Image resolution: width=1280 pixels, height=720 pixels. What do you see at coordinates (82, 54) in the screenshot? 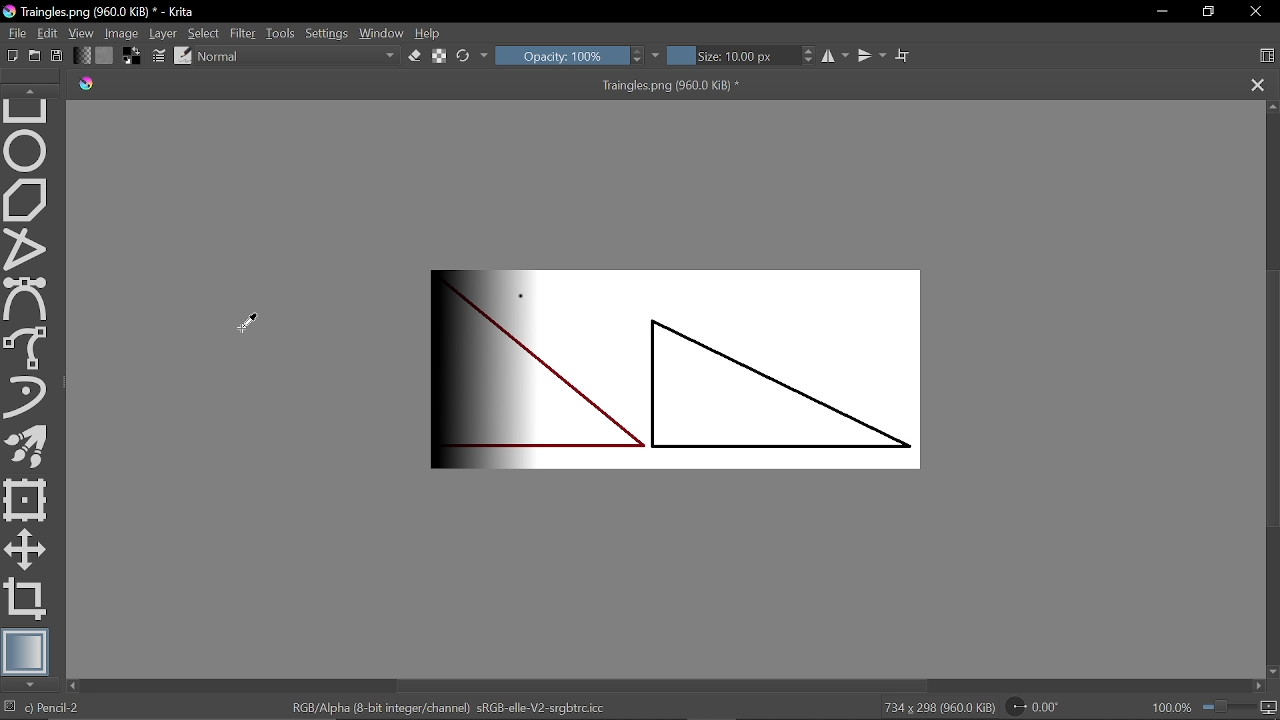
I see `Gradient fill` at bounding box center [82, 54].